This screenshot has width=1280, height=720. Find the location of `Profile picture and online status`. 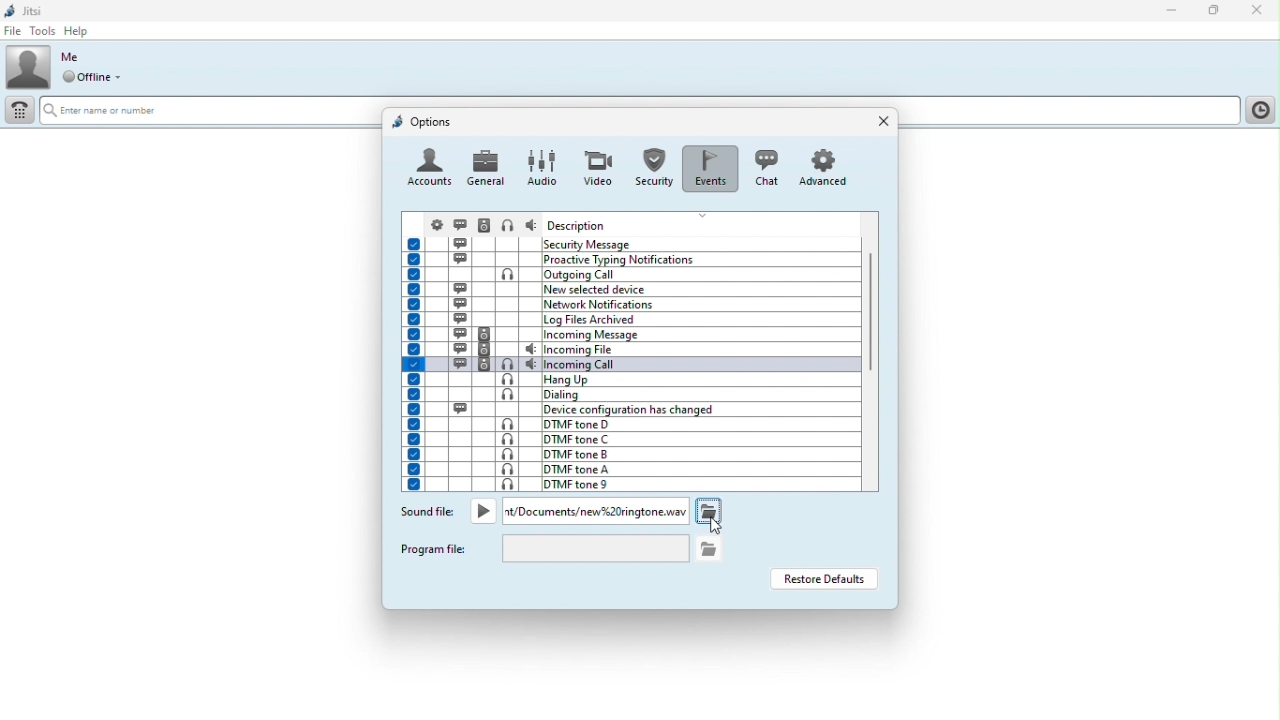

Profile picture and online status is located at coordinates (70, 67).